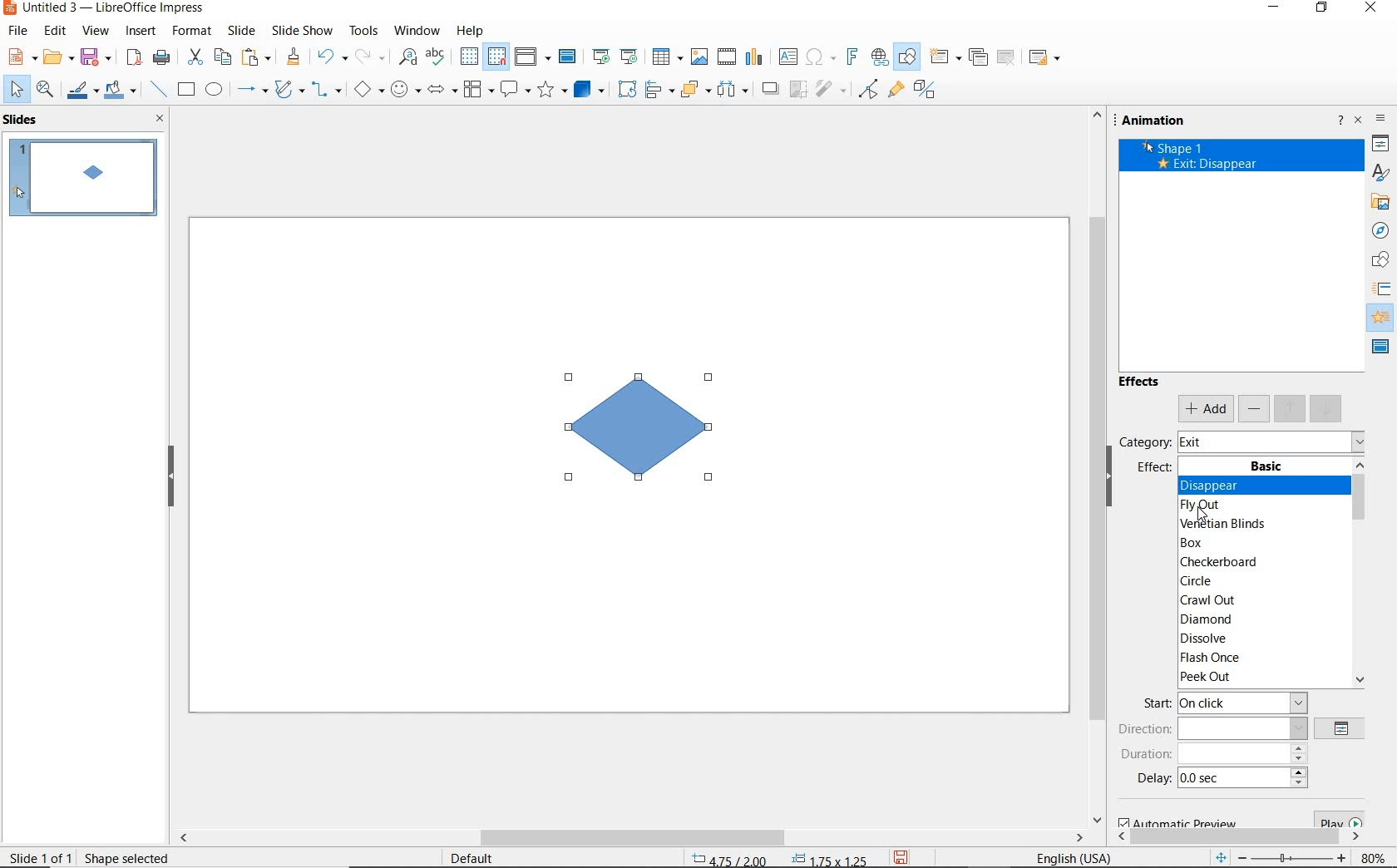 The width and height of the screenshot is (1397, 868). I want to click on position and size, so click(777, 857).